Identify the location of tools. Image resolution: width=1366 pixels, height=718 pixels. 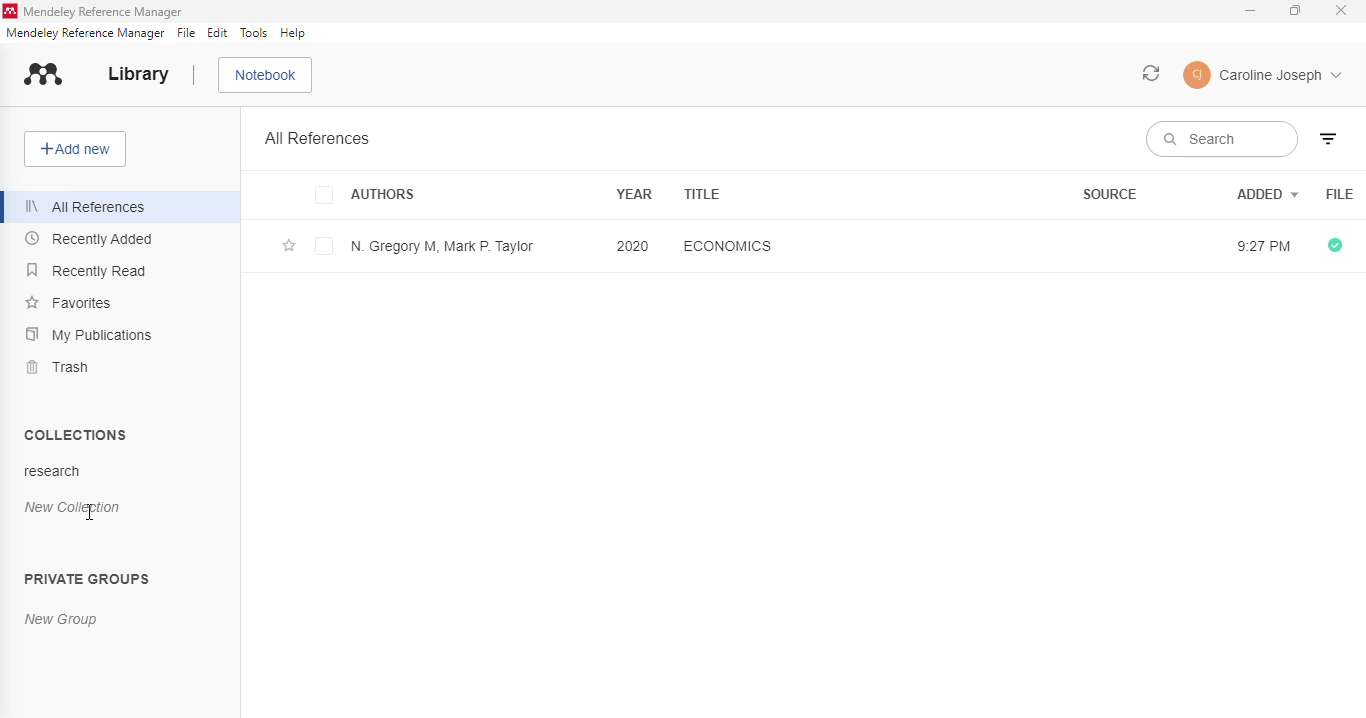
(254, 33).